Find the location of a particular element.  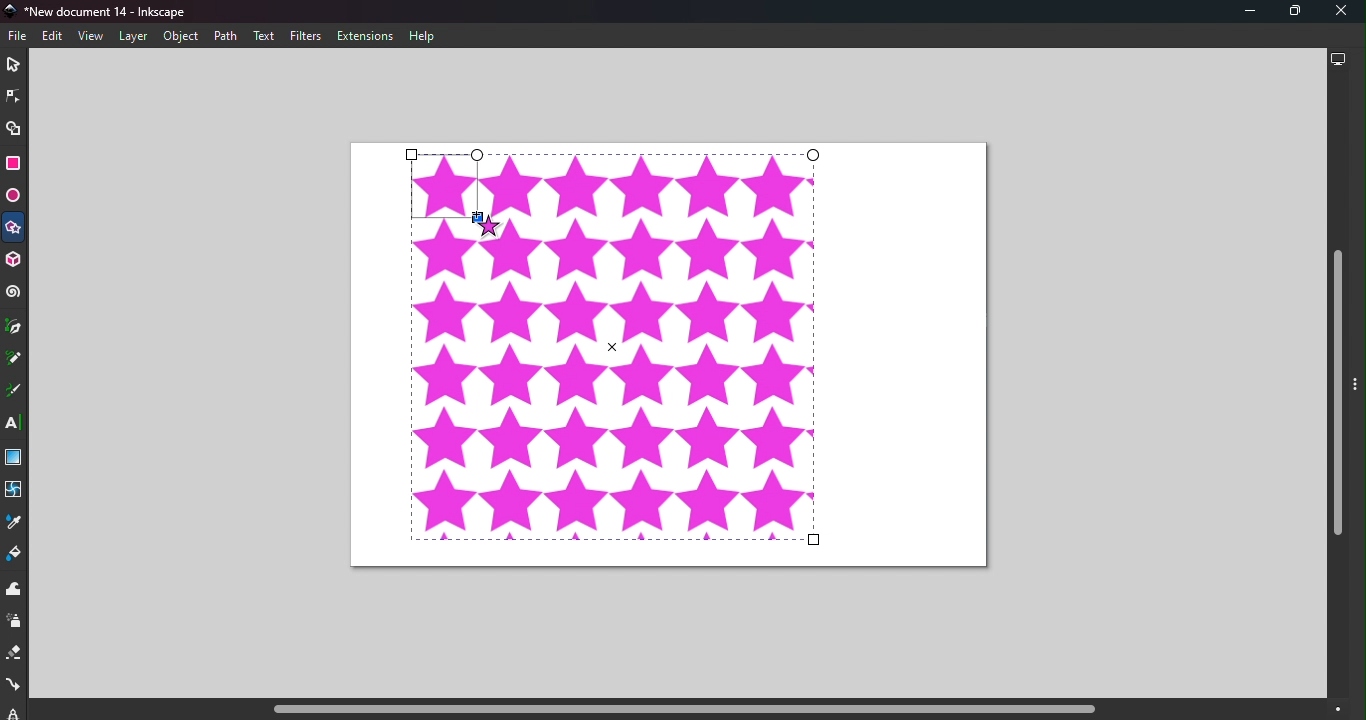

Paint bucket tool is located at coordinates (16, 556).